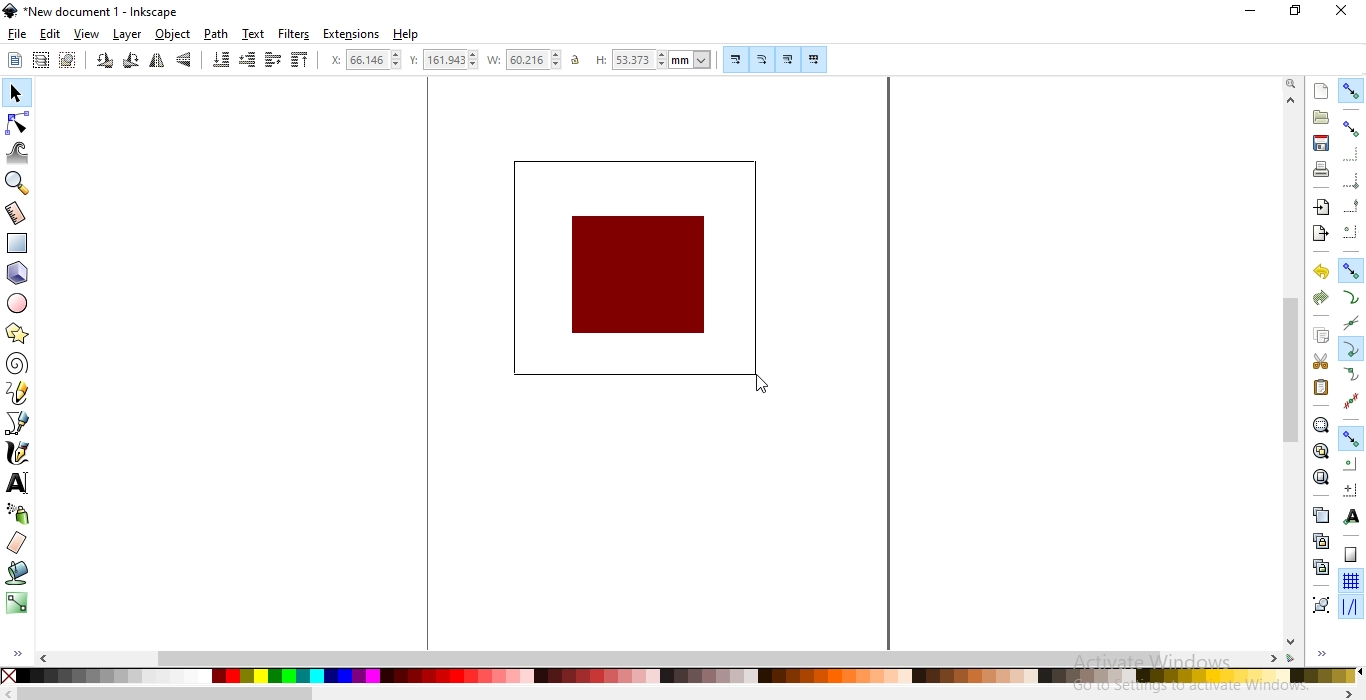 This screenshot has height=700, width=1366. What do you see at coordinates (658, 658) in the screenshot?
I see `scrollbar` at bounding box center [658, 658].